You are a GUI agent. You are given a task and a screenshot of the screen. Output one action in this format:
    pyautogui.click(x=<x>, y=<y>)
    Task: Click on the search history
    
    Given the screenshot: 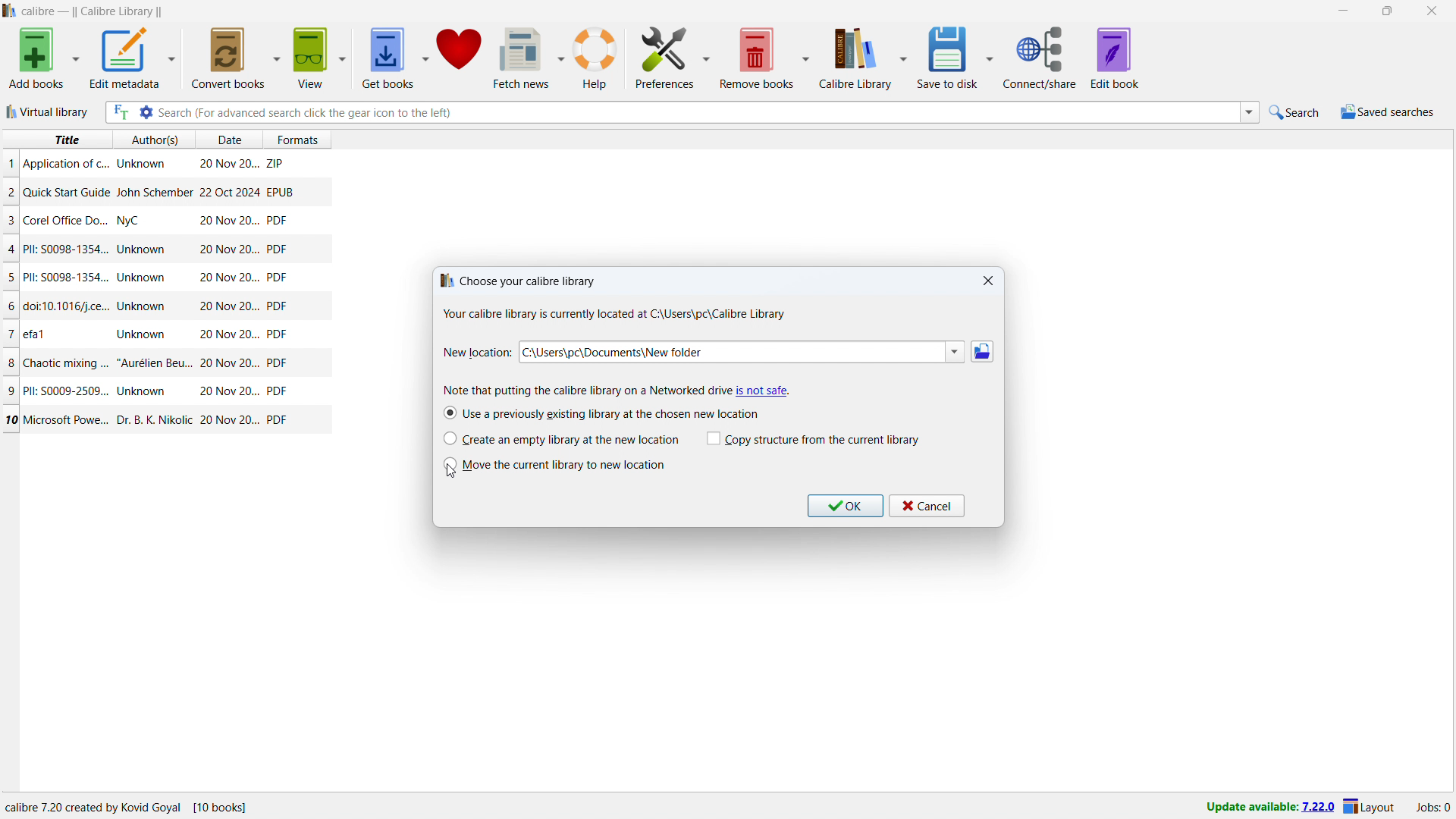 What is the action you would take?
    pyautogui.click(x=1250, y=113)
    